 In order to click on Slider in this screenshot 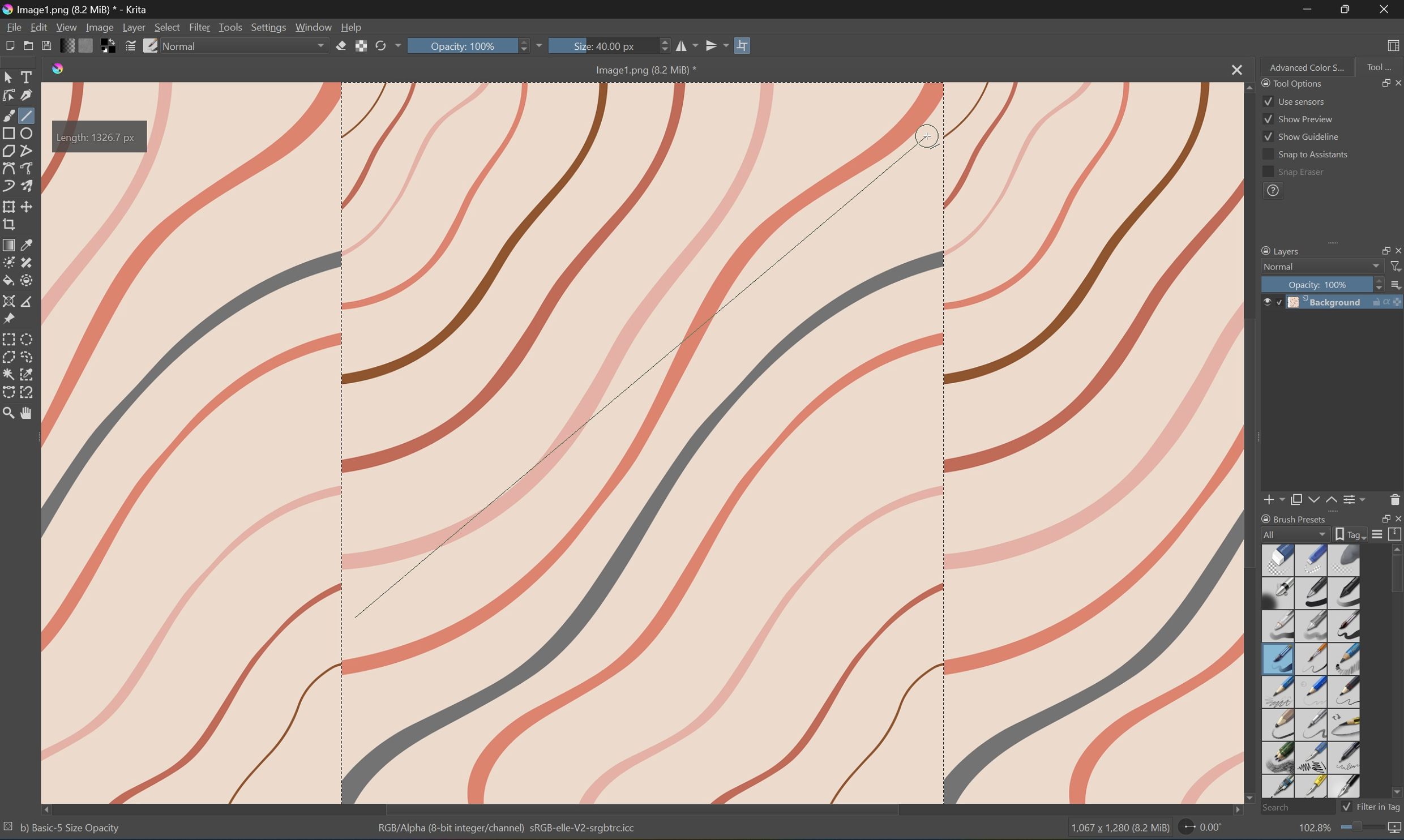, I will do `click(526, 46)`.